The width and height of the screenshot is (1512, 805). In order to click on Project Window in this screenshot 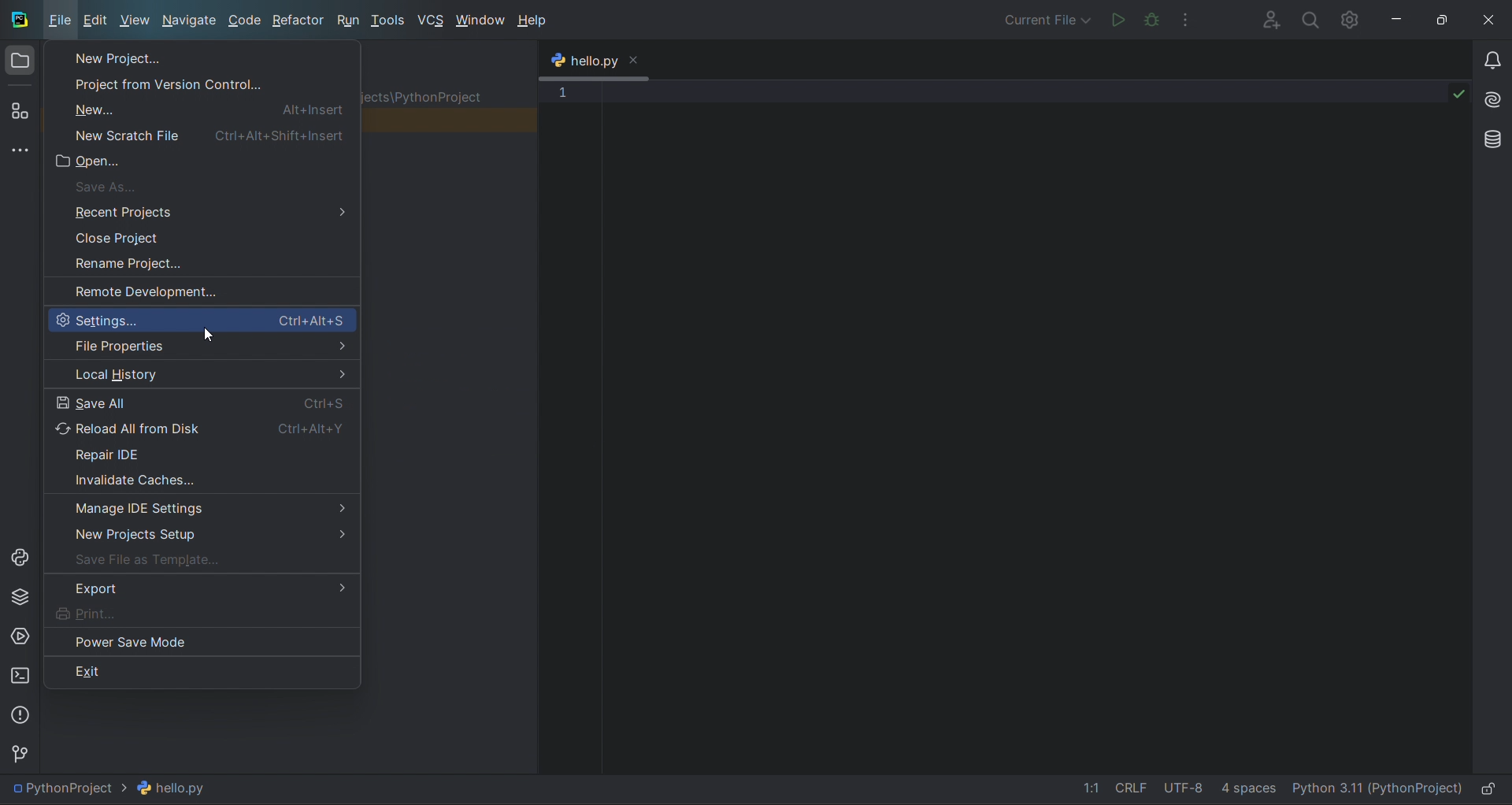, I will do `click(18, 61)`.